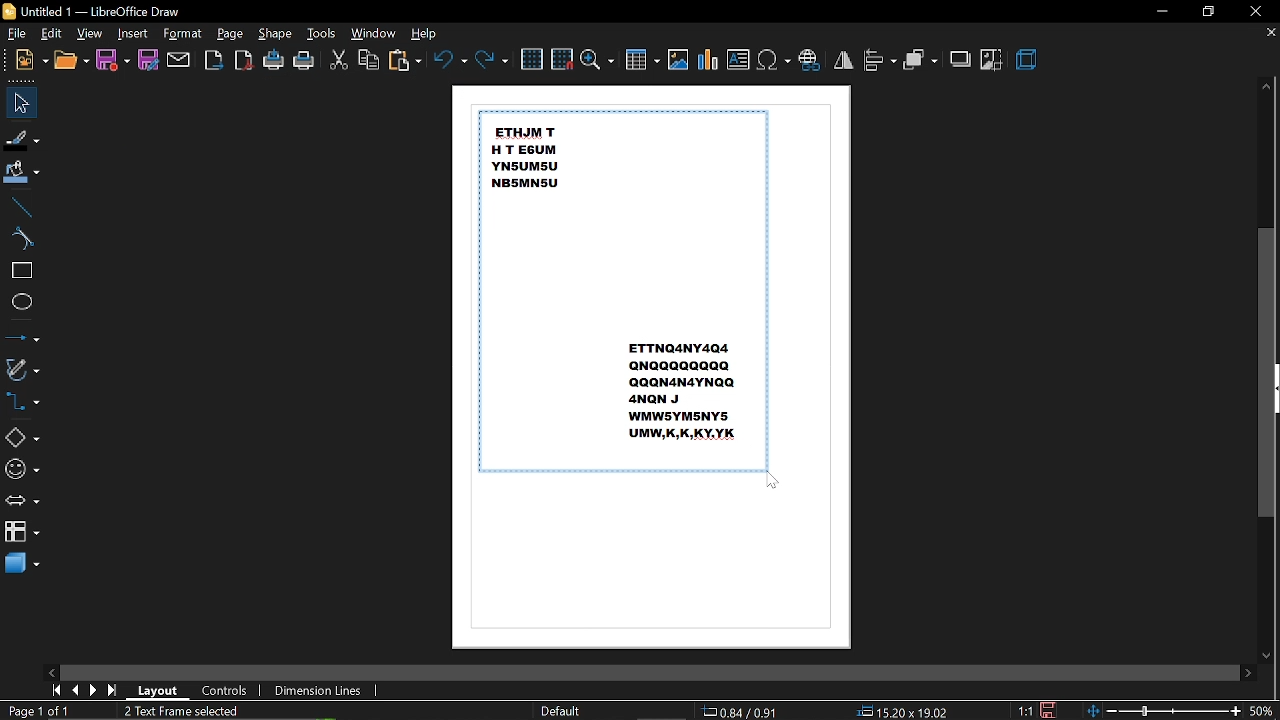  What do you see at coordinates (161, 691) in the screenshot?
I see `layout` at bounding box center [161, 691].